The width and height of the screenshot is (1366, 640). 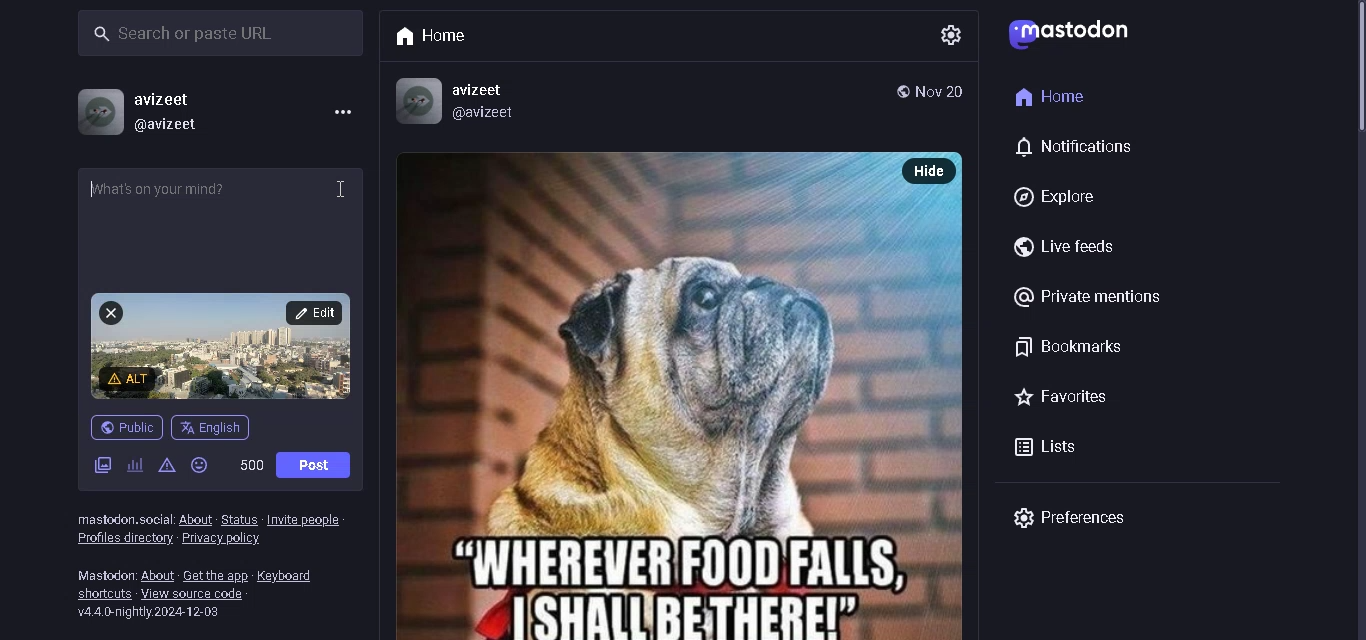 I want to click on @username, so click(x=173, y=125).